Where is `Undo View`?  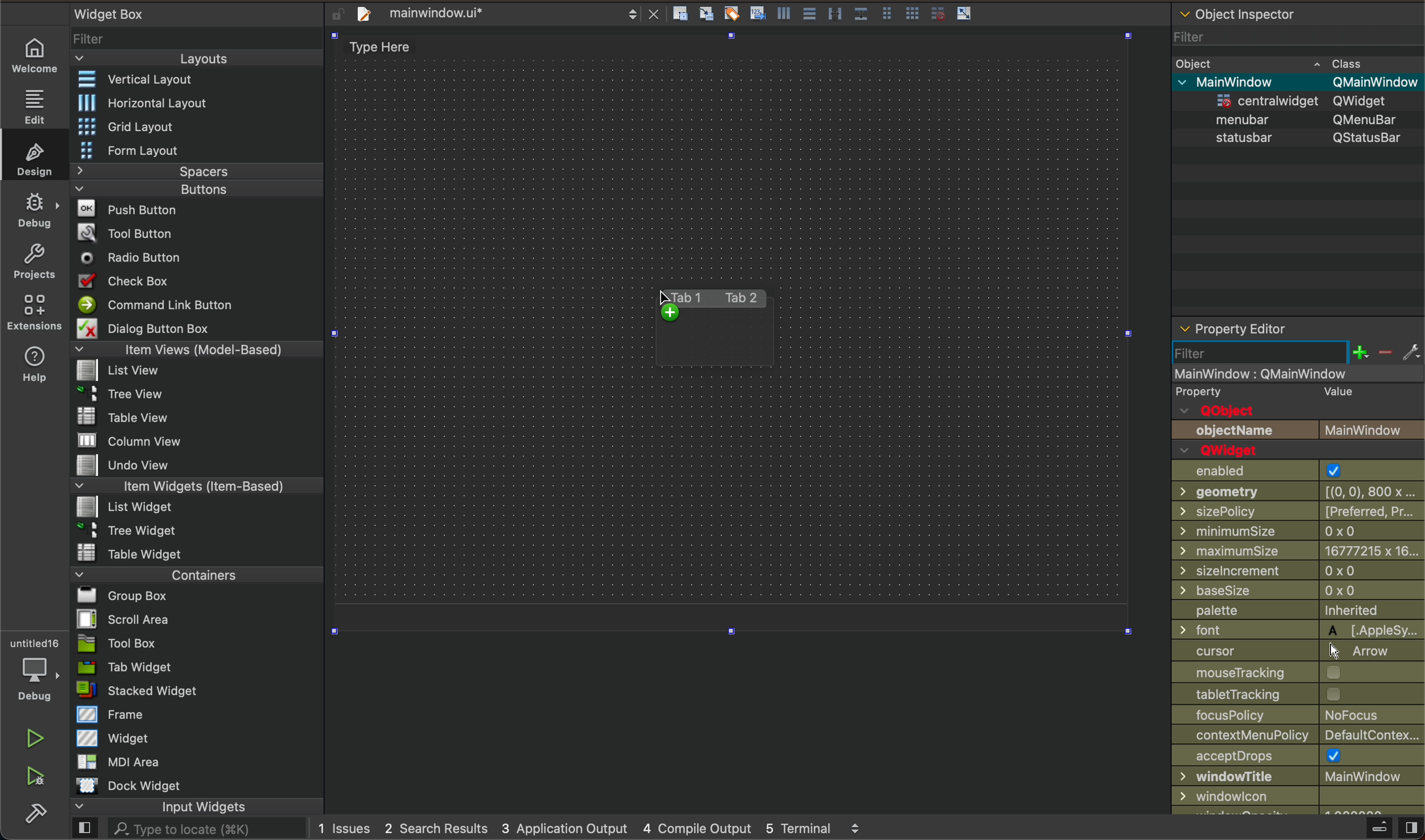 Undo View is located at coordinates (117, 466).